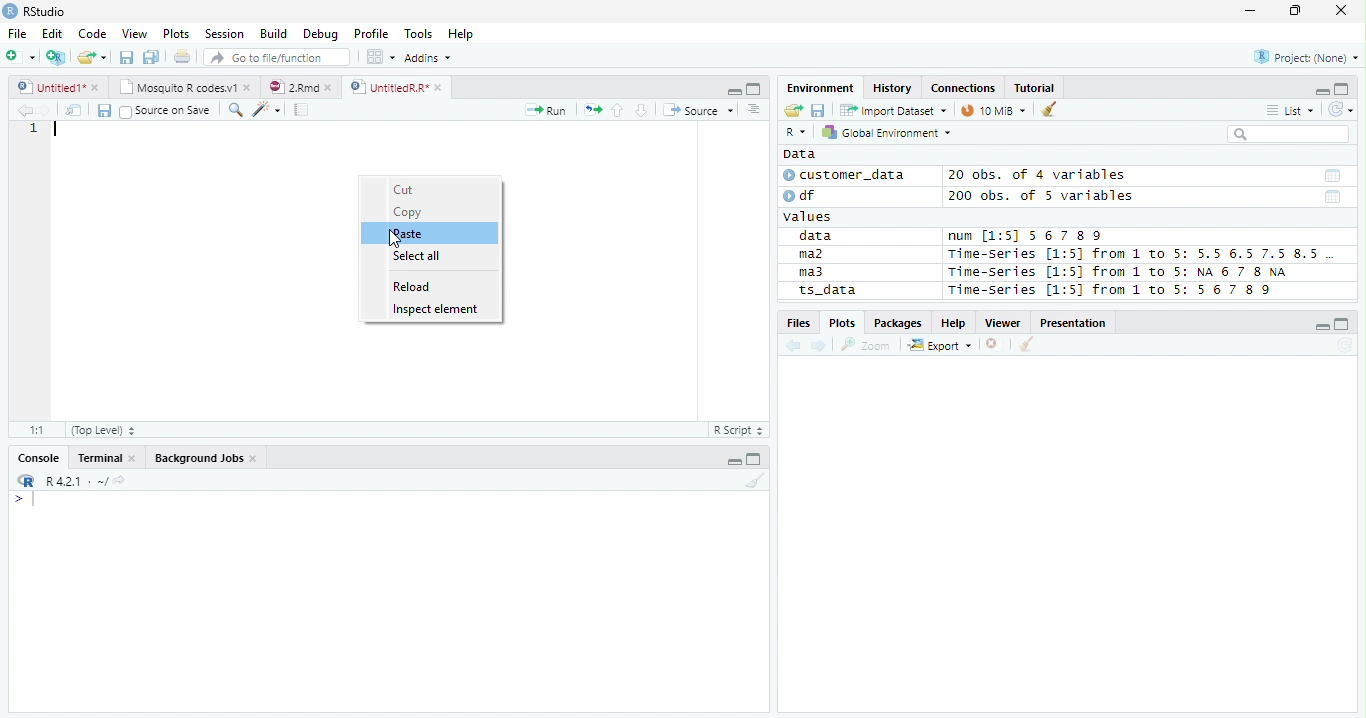  Describe the element at coordinates (380, 57) in the screenshot. I see `Workplace panes` at that location.